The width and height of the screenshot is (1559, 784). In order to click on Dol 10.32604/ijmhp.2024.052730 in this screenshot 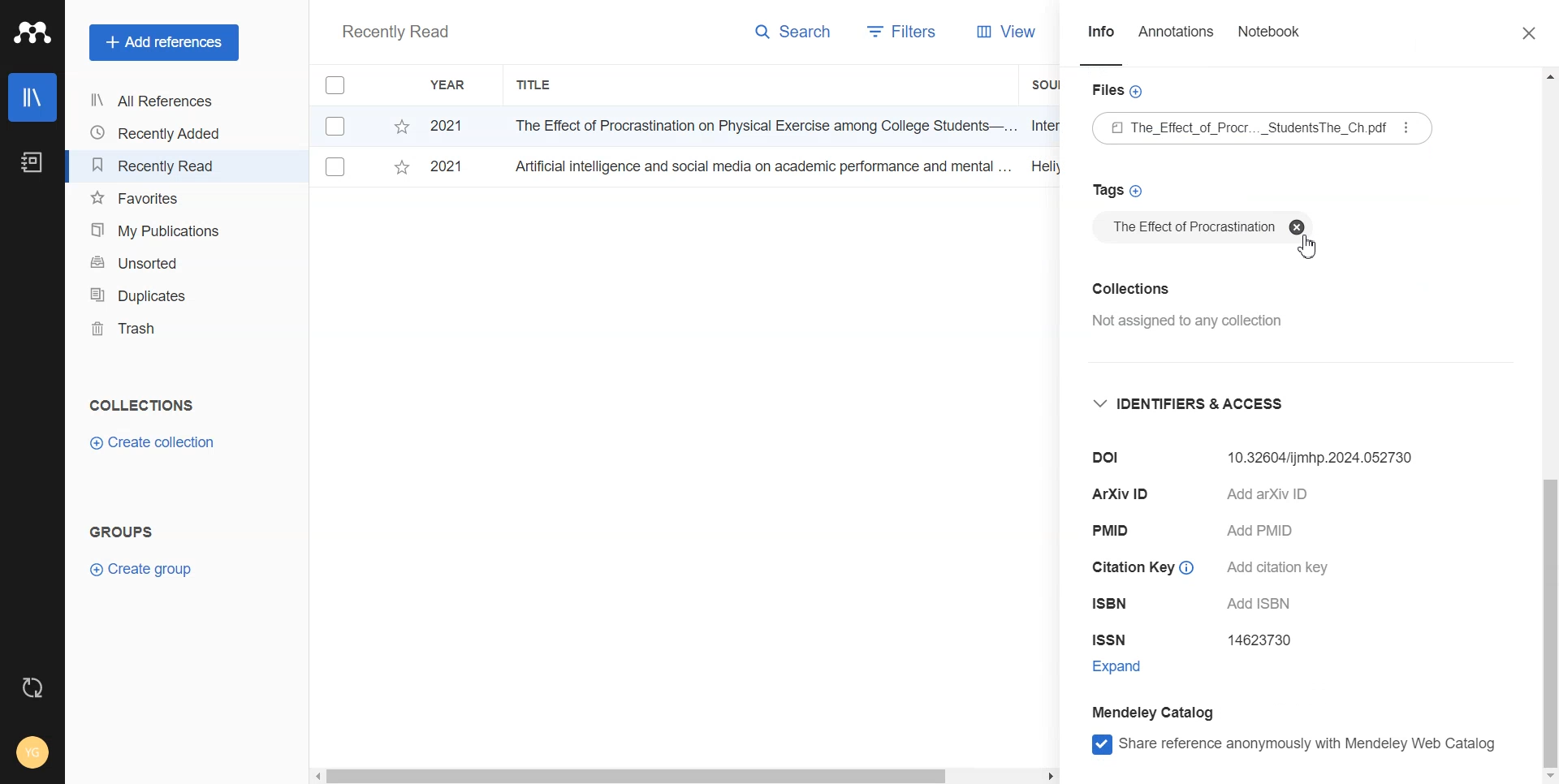, I will do `click(1239, 456)`.